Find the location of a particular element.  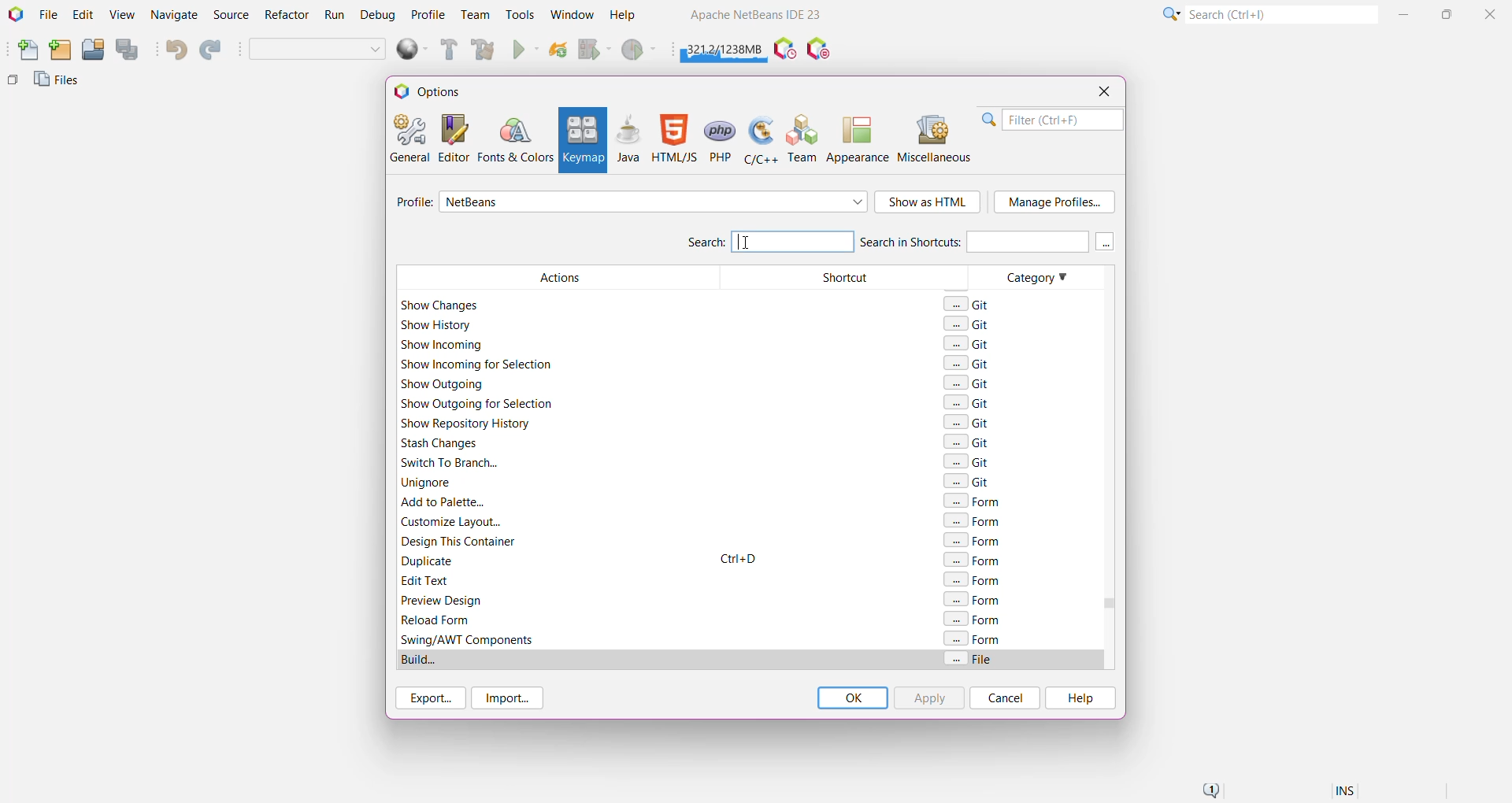

Click to force garbage collection is located at coordinates (724, 47).